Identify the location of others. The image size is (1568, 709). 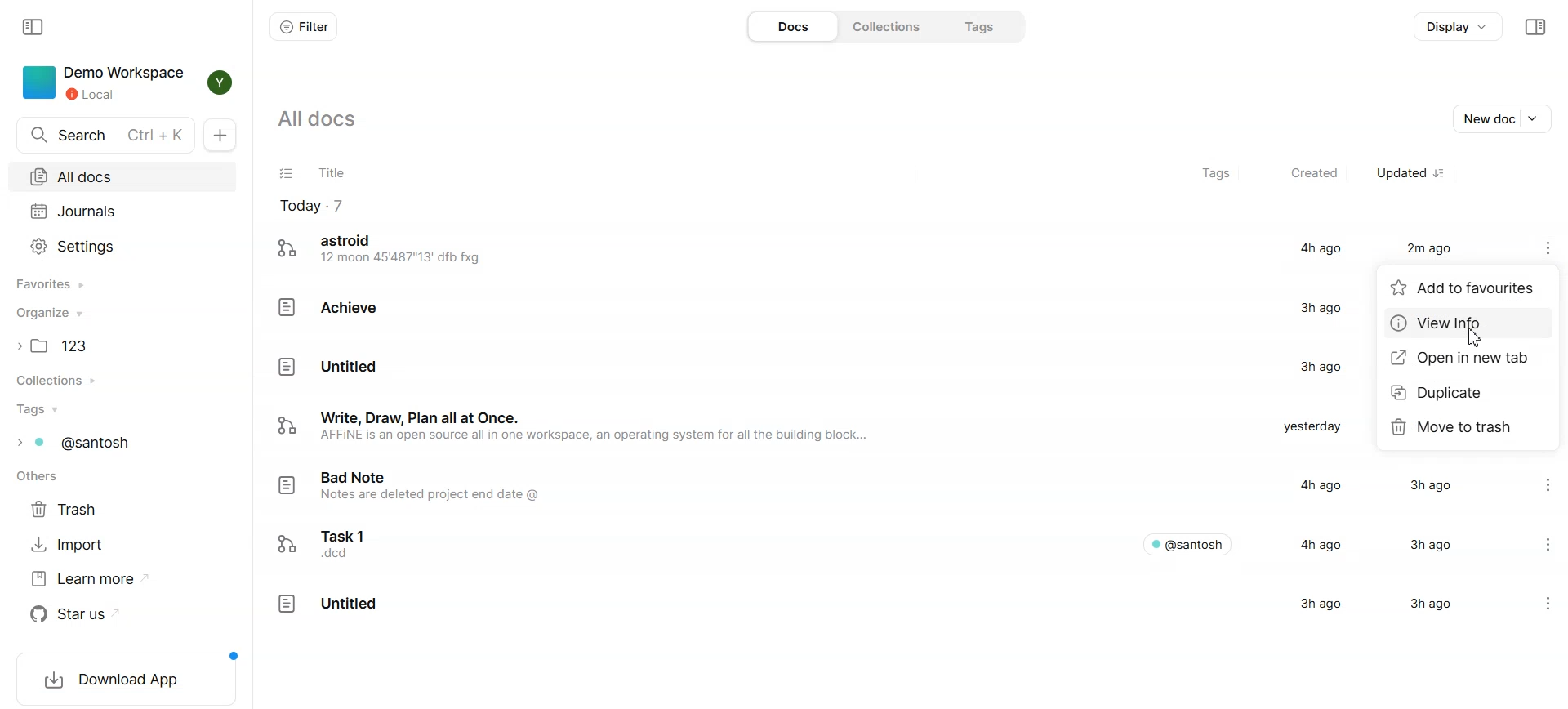
(36, 478).